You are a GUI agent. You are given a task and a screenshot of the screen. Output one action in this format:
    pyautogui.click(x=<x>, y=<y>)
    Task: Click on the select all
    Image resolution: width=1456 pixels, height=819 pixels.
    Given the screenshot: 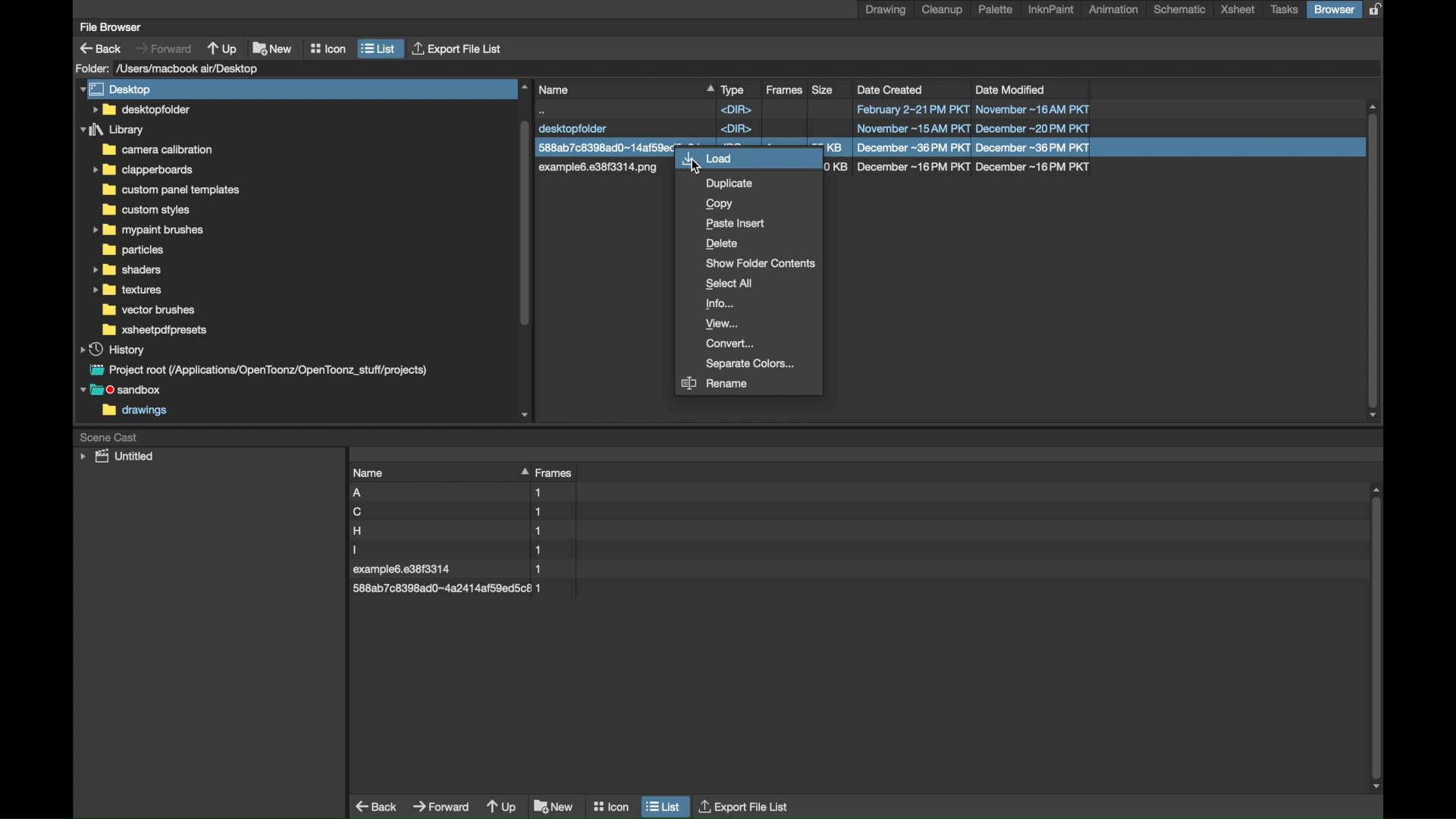 What is the action you would take?
    pyautogui.click(x=731, y=284)
    